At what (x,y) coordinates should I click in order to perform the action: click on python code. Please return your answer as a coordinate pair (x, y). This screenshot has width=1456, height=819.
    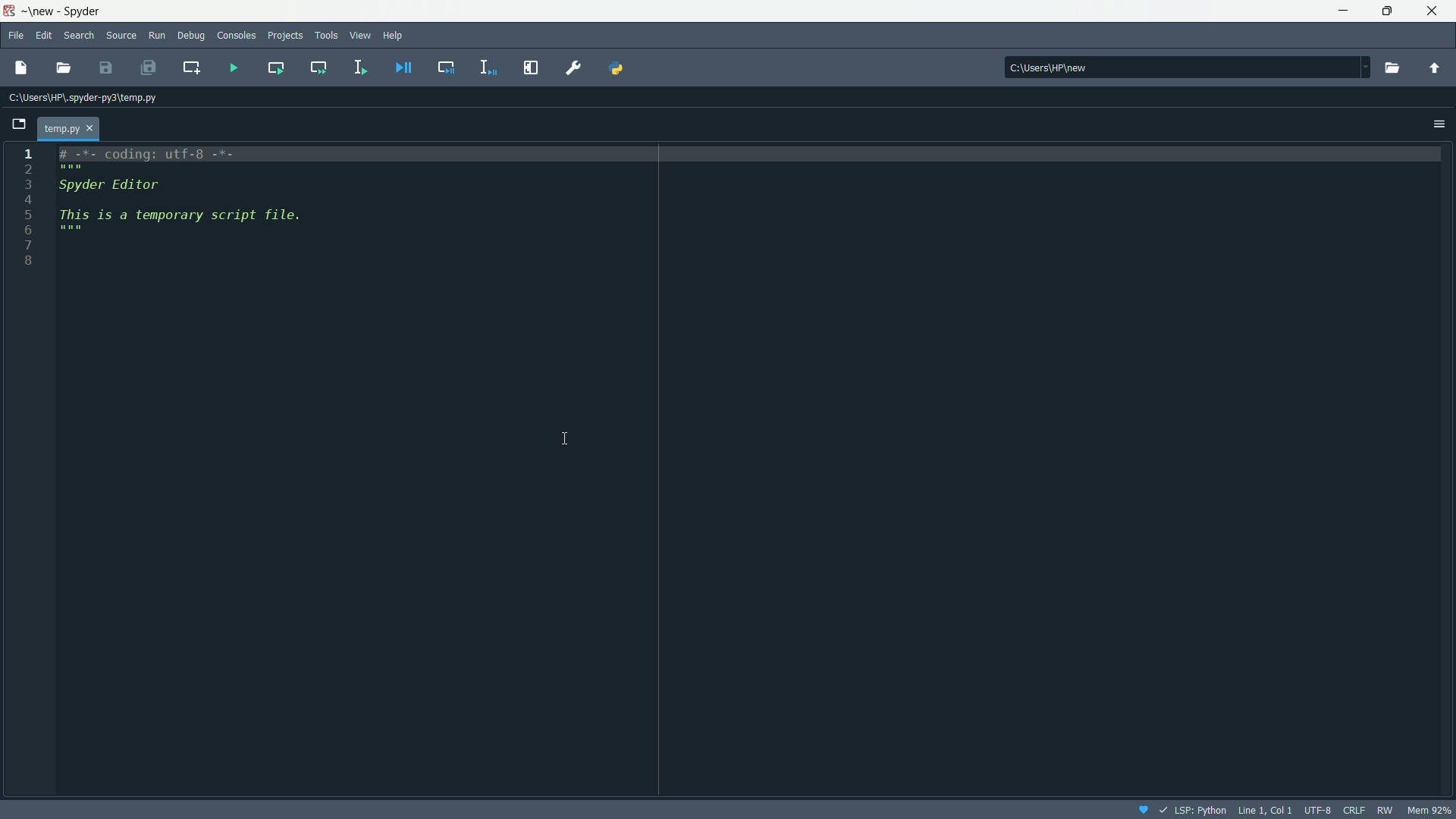
    Looking at the image, I should click on (322, 203).